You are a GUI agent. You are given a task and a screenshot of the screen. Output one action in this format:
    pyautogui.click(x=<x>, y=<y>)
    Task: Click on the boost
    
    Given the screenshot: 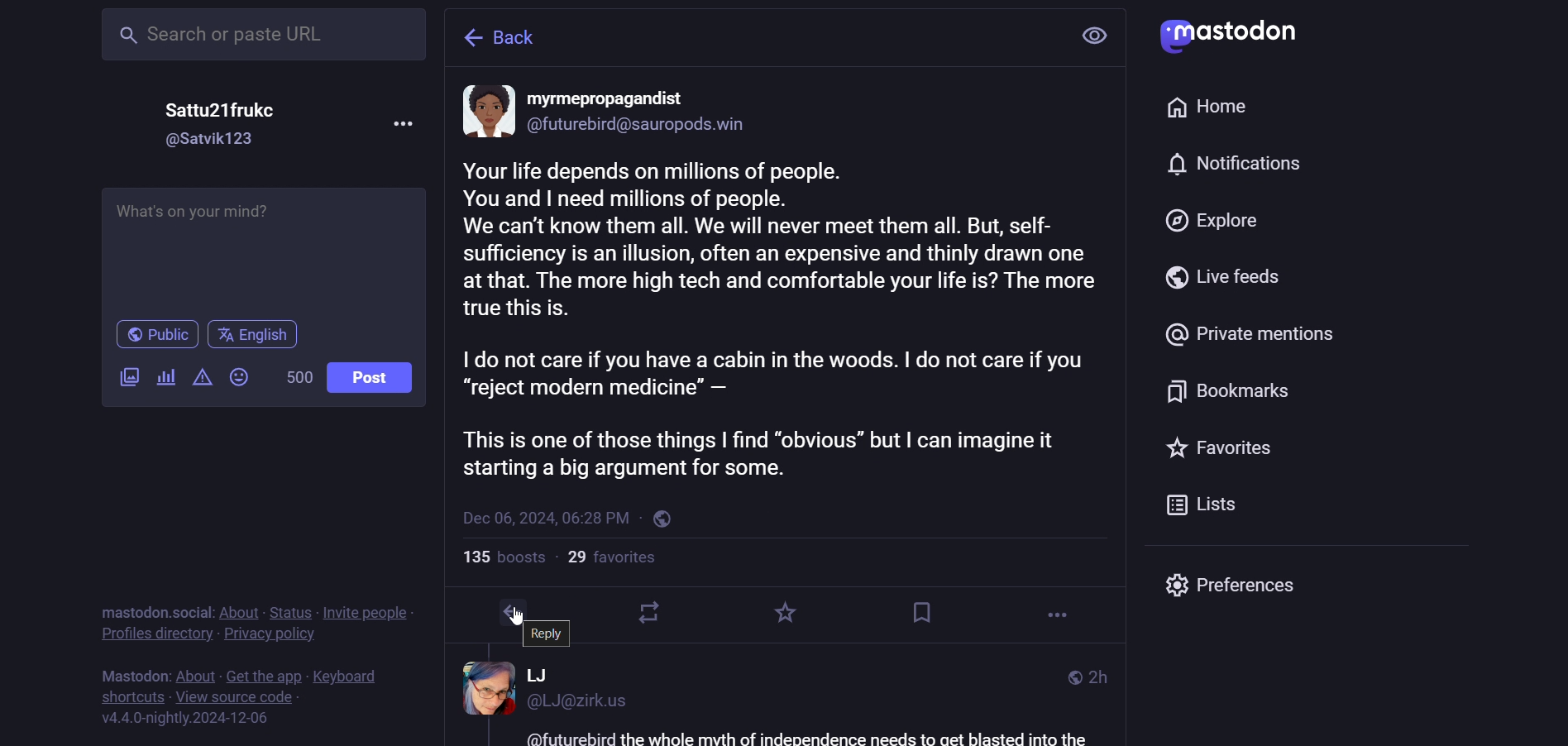 What is the action you would take?
    pyautogui.click(x=647, y=614)
    